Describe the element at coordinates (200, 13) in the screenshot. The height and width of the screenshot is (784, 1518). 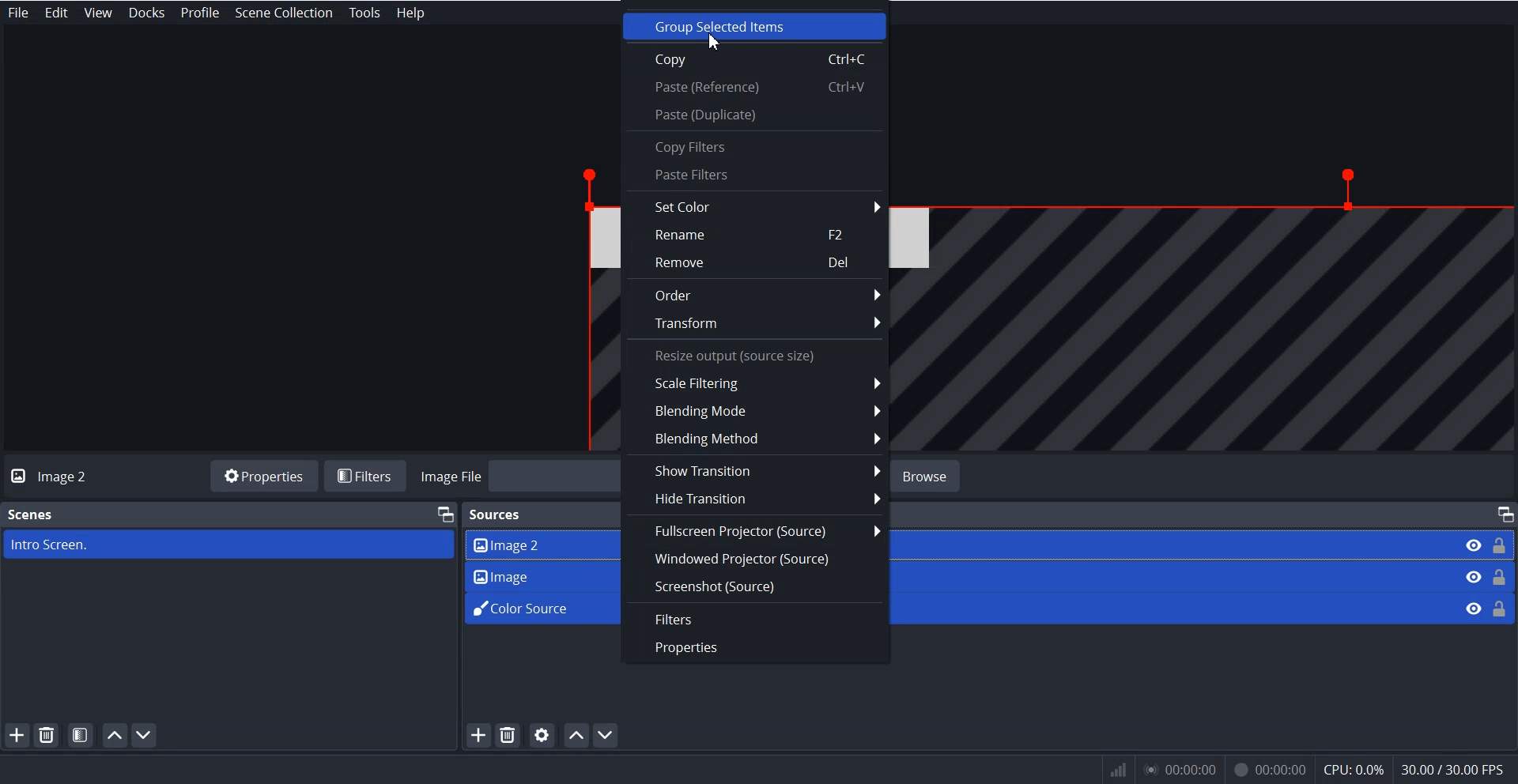
I see `Profile` at that location.